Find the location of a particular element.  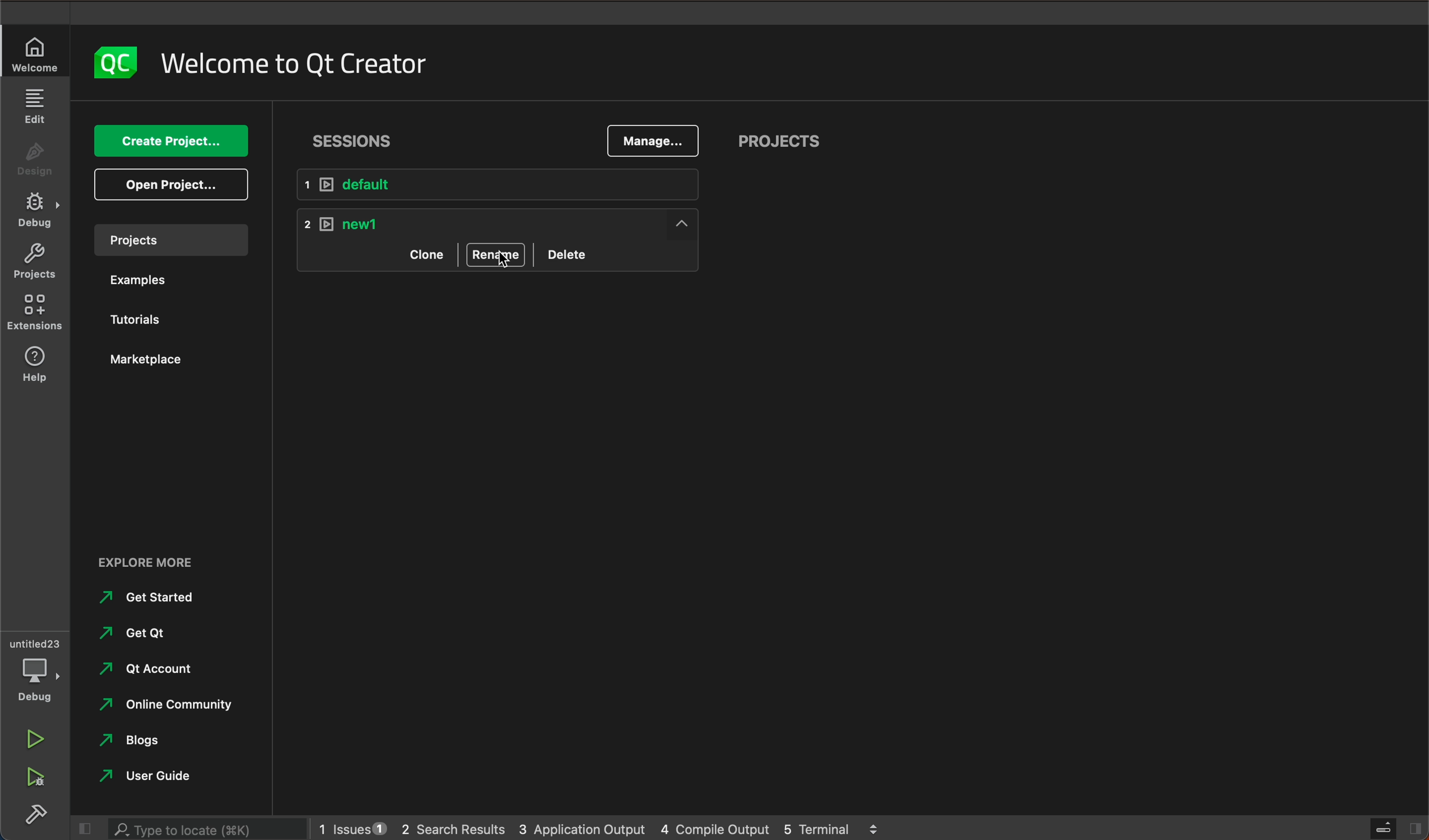

welcome is located at coordinates (36, 54).